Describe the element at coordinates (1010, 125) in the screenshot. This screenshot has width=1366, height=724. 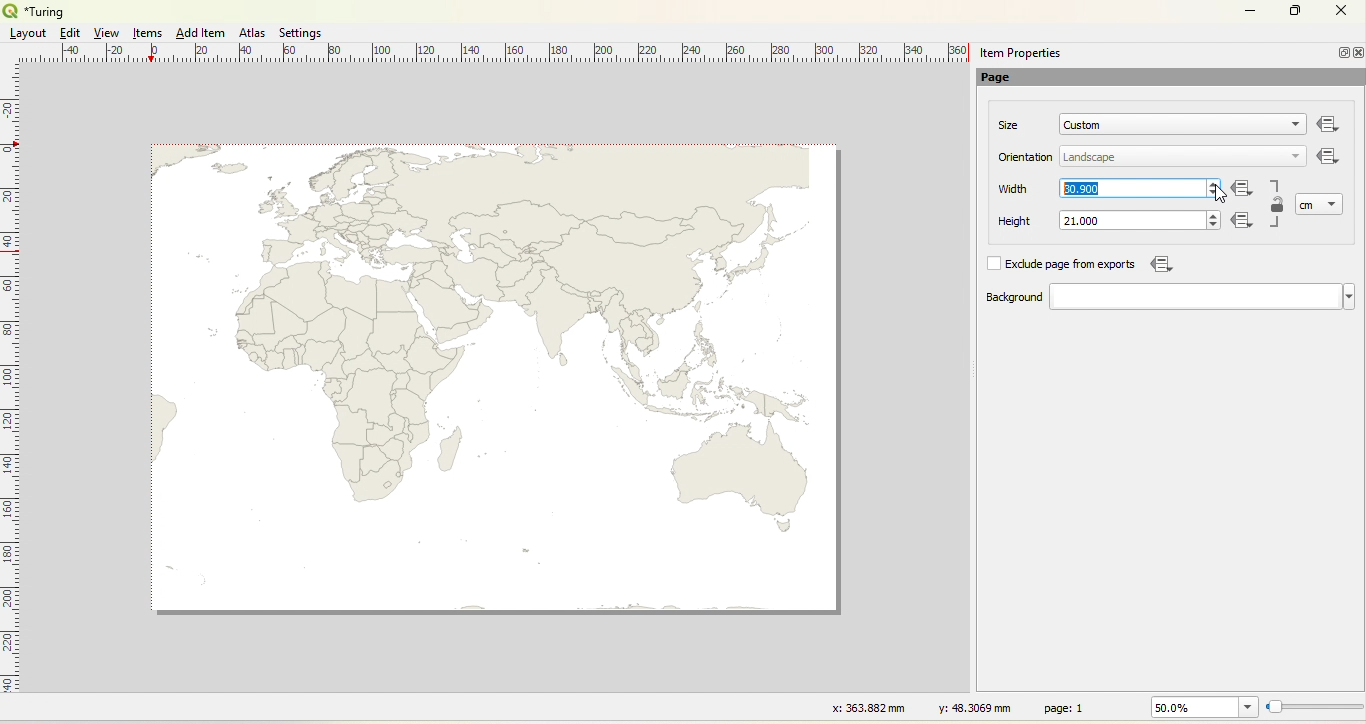
I see `Size` at that location.